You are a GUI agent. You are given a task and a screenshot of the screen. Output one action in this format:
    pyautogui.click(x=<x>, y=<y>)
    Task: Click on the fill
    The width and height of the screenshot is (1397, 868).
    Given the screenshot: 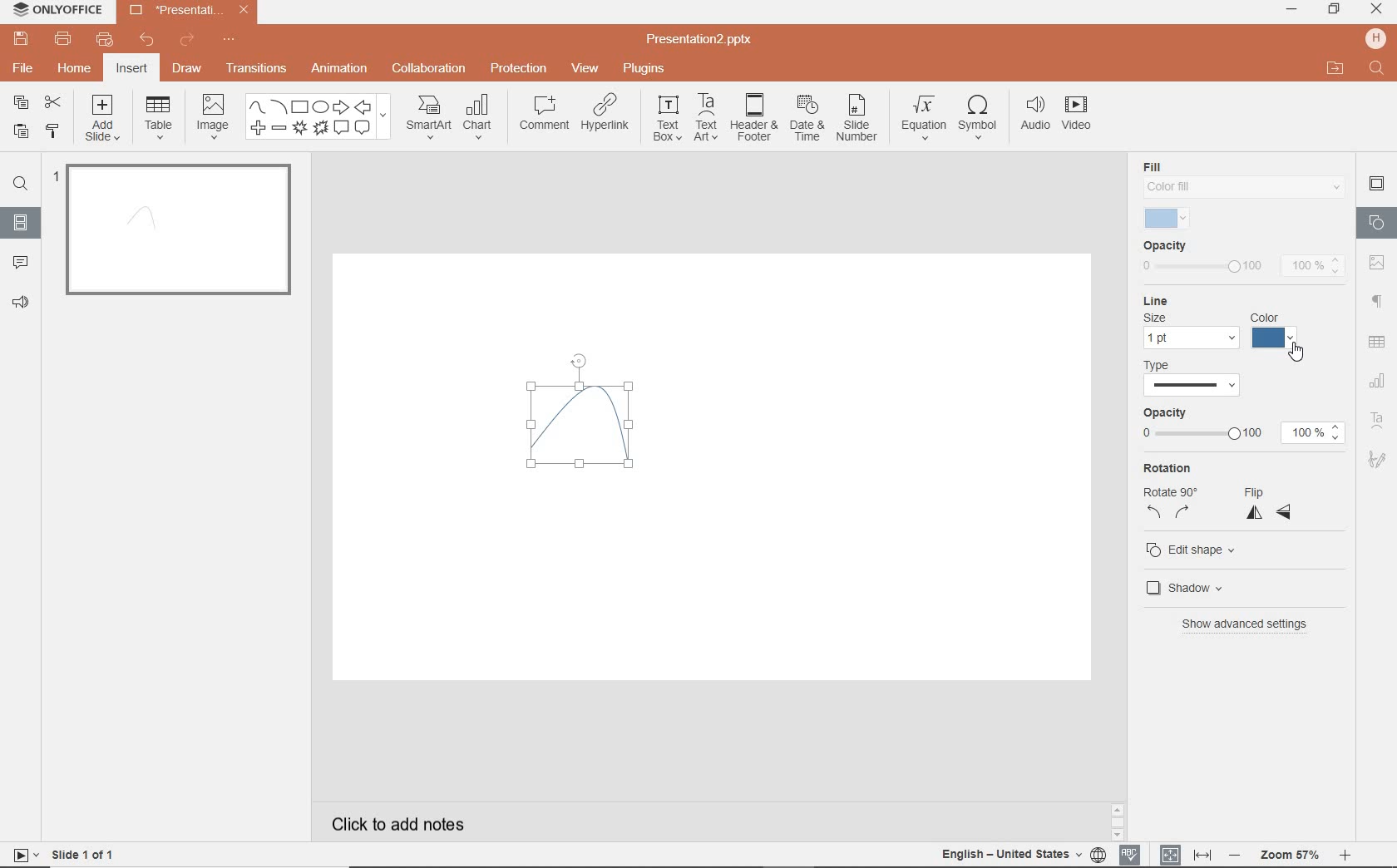 What is the action you would take?
    pyautogui.click(x=1246, y=180)
    